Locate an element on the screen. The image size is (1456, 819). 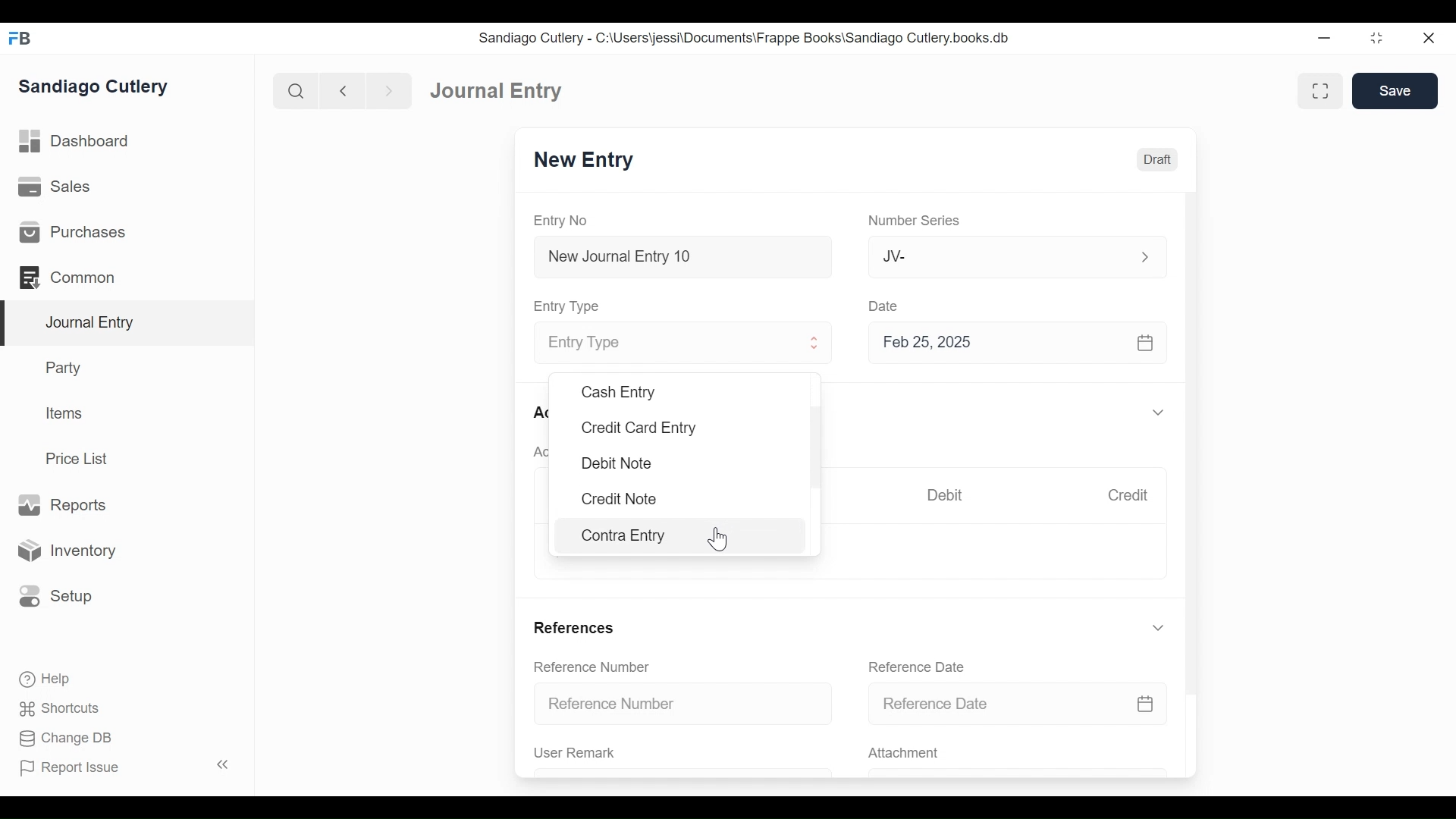
Price List is located at coordinates (80, 458).